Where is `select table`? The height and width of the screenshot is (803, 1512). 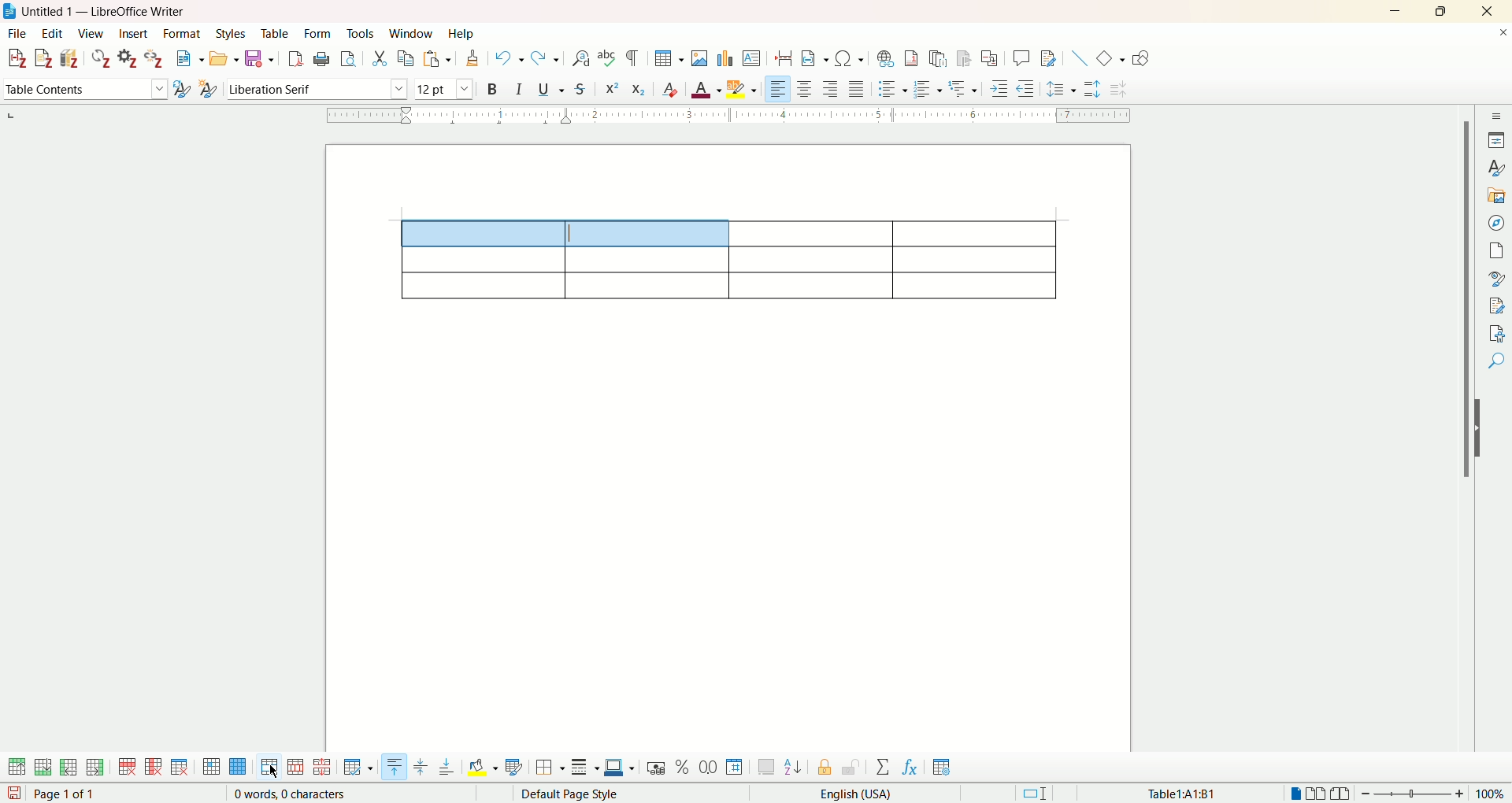 select table is located at coordinates (237, 764).